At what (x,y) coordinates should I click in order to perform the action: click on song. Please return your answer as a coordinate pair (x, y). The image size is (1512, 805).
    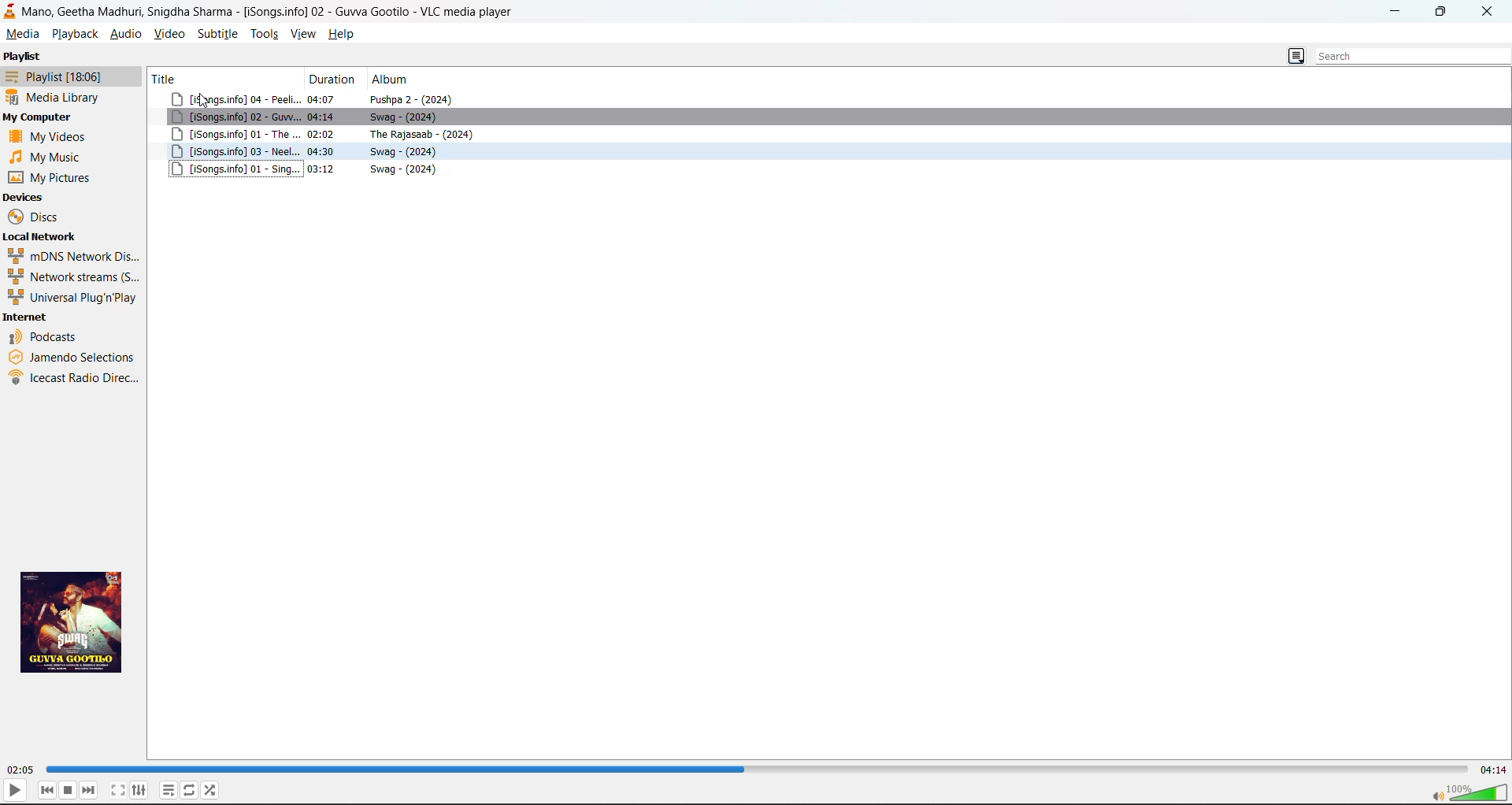
    Looking at the image, I should click on (831, 152).